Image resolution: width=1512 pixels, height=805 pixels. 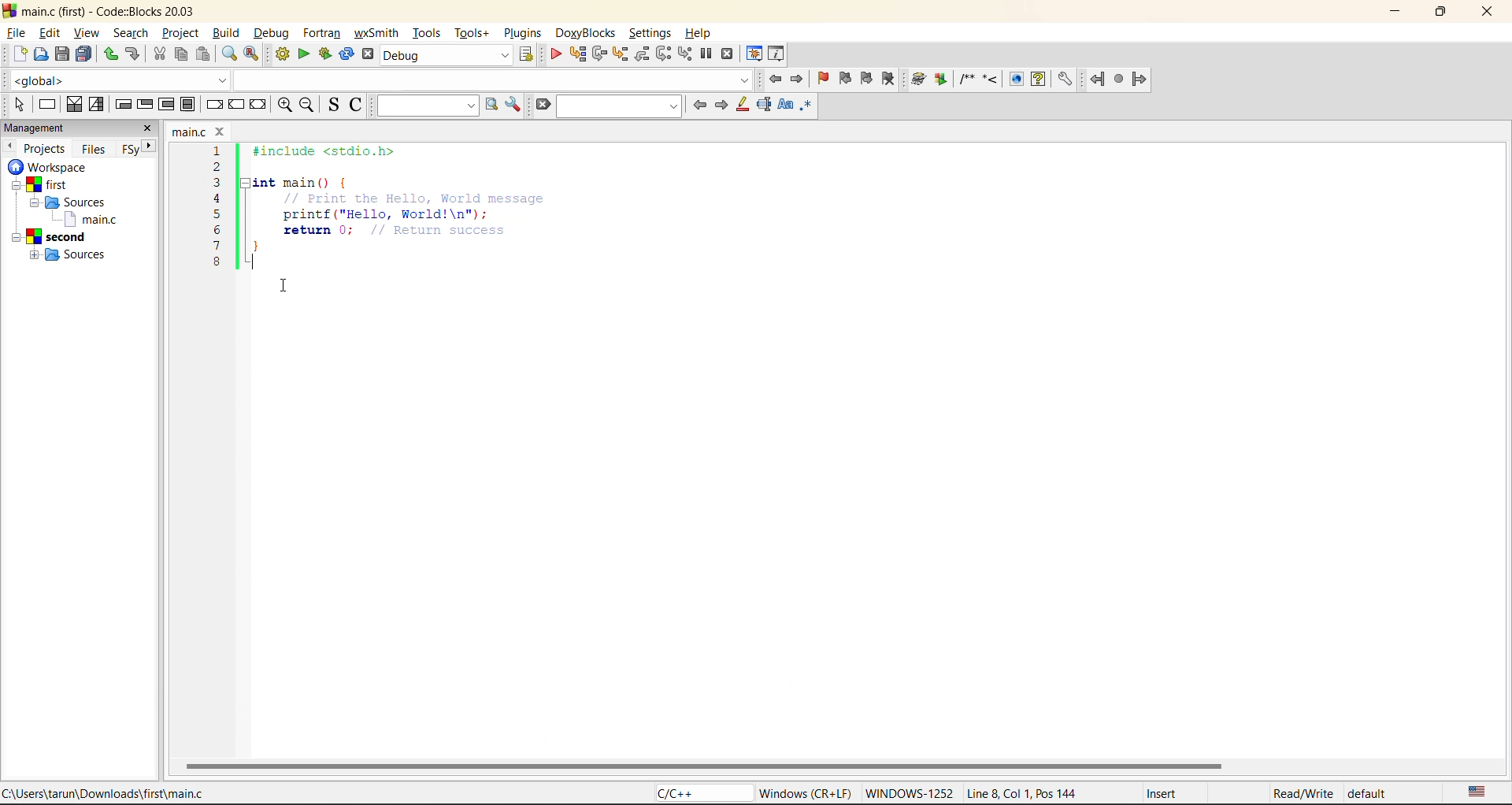 What do you see at coordinates (697, 104) in the screenshot?
I see `previous` at bounding box center [697, 104].